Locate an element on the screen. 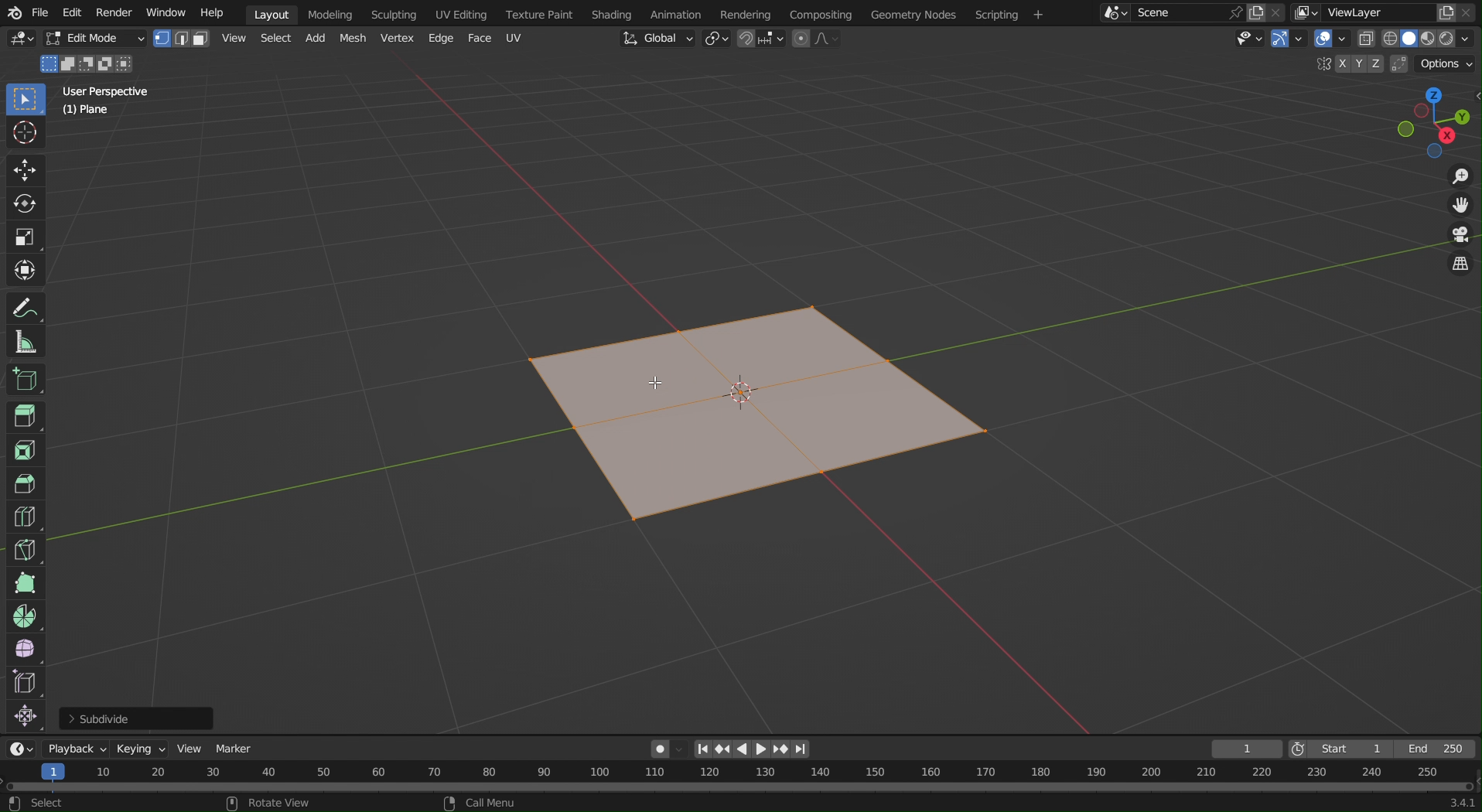  Auto Merge Vertice is located at coordinates (1397, 63).